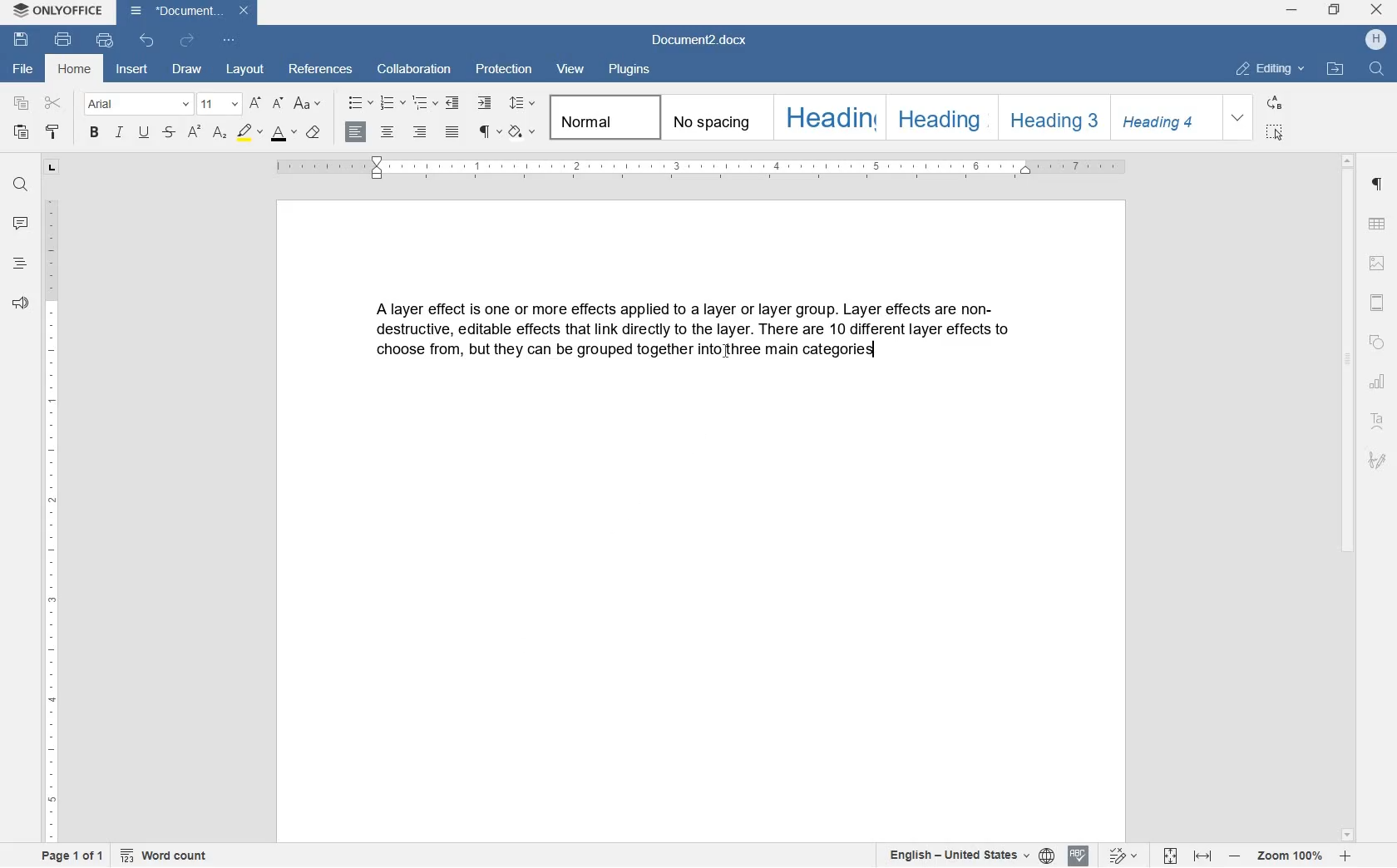 The height and width of the screenshot is (868, 1397). Describe the element at coordinates (76, 71) in the screenshot. I see `home` at that location.